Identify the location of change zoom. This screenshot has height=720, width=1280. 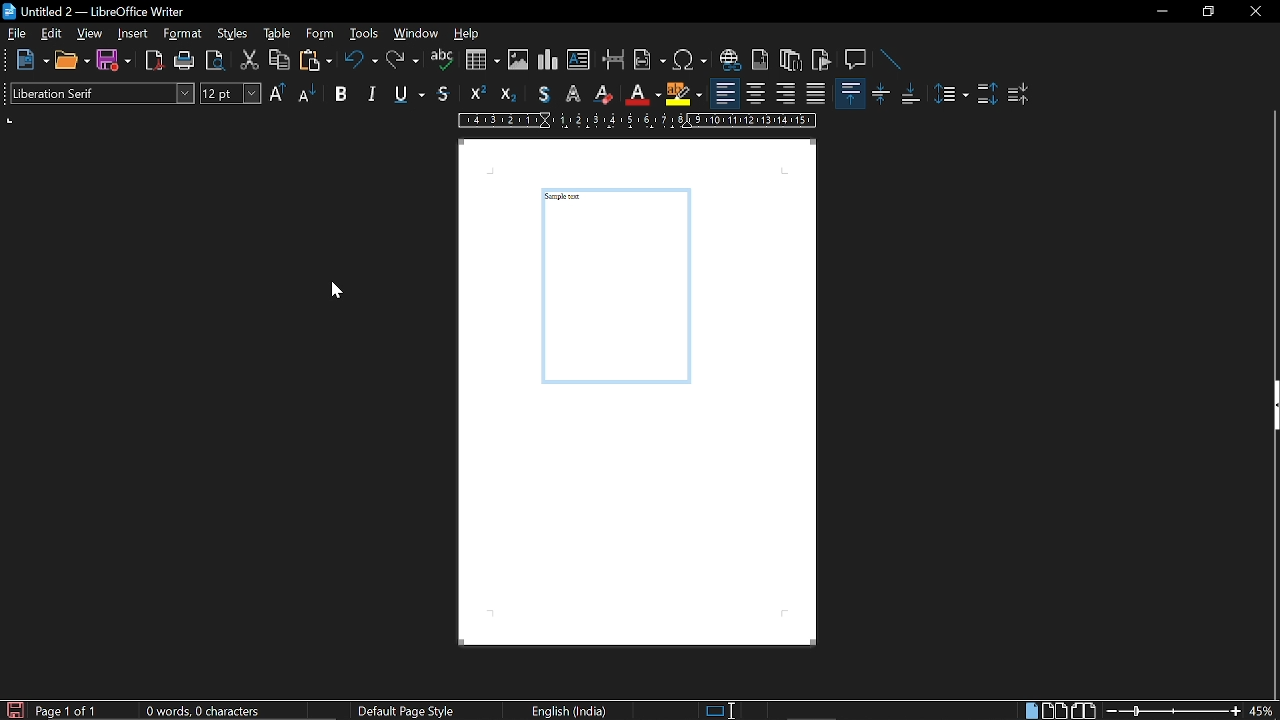
(1173, 711).